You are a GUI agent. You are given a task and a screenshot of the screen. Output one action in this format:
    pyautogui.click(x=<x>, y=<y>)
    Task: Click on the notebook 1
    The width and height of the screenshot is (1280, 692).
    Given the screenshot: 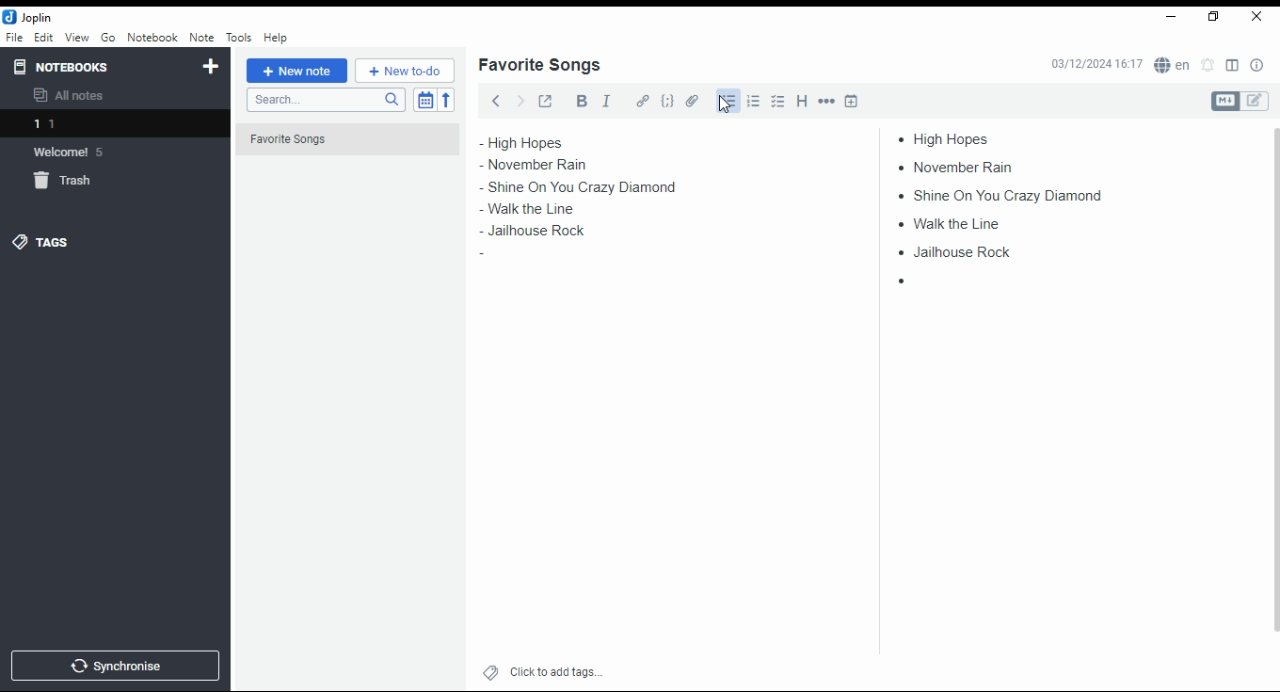 What is the action you would take?
    pyautogui.click(x=73, y=126)
    